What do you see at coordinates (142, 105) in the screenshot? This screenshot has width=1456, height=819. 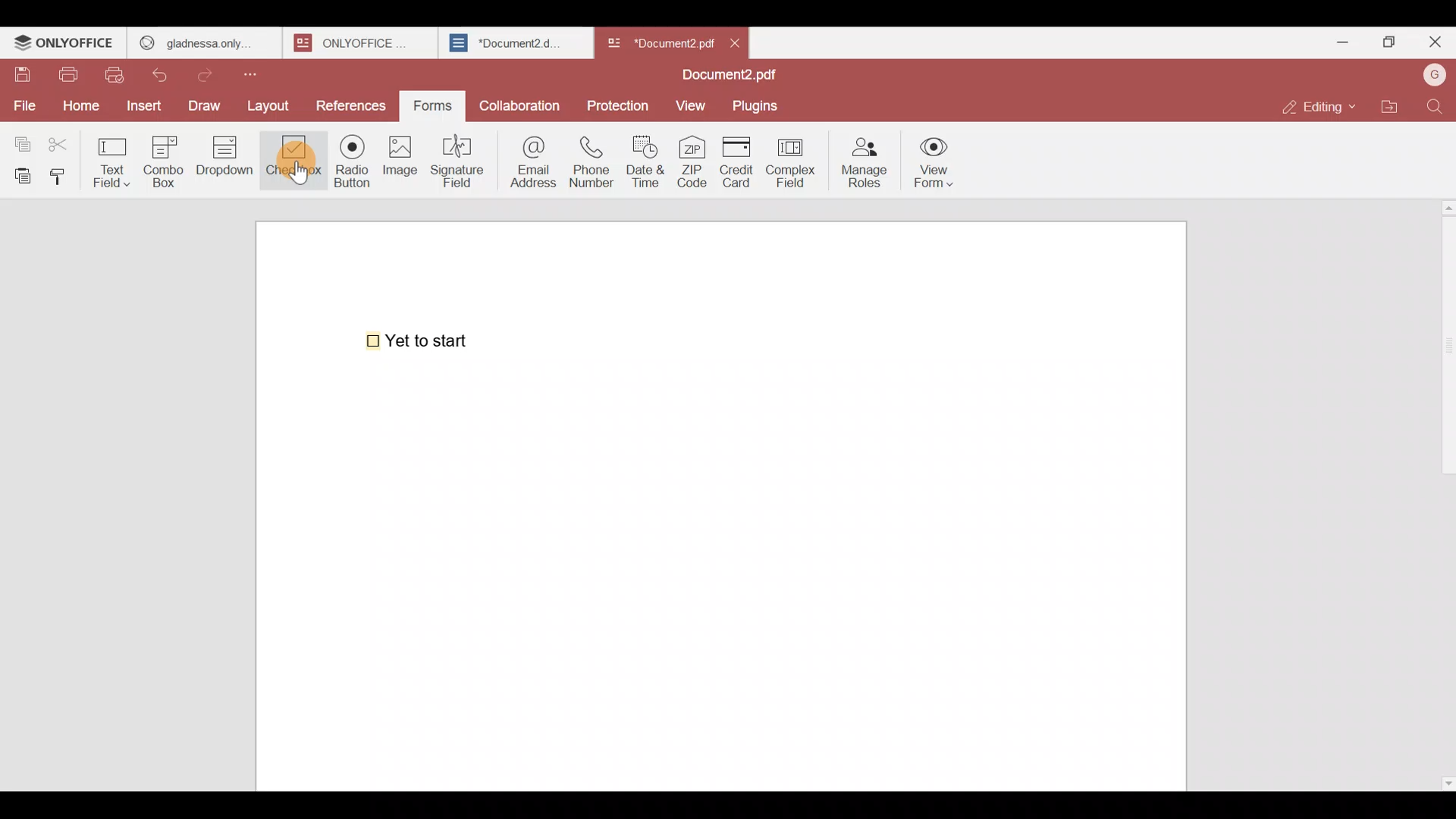 I see `Insert` at bounding box center [142, 105].